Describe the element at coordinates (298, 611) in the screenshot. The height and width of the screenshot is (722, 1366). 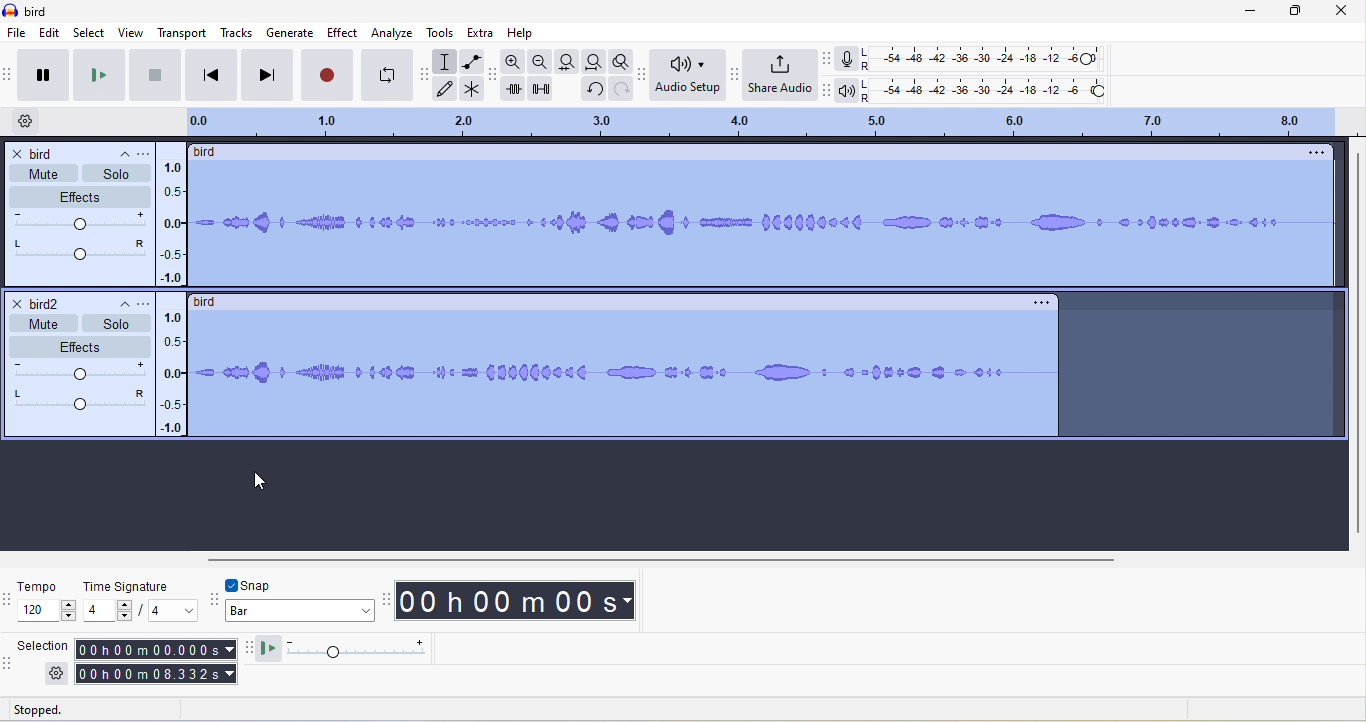
I see `bar` at that location.